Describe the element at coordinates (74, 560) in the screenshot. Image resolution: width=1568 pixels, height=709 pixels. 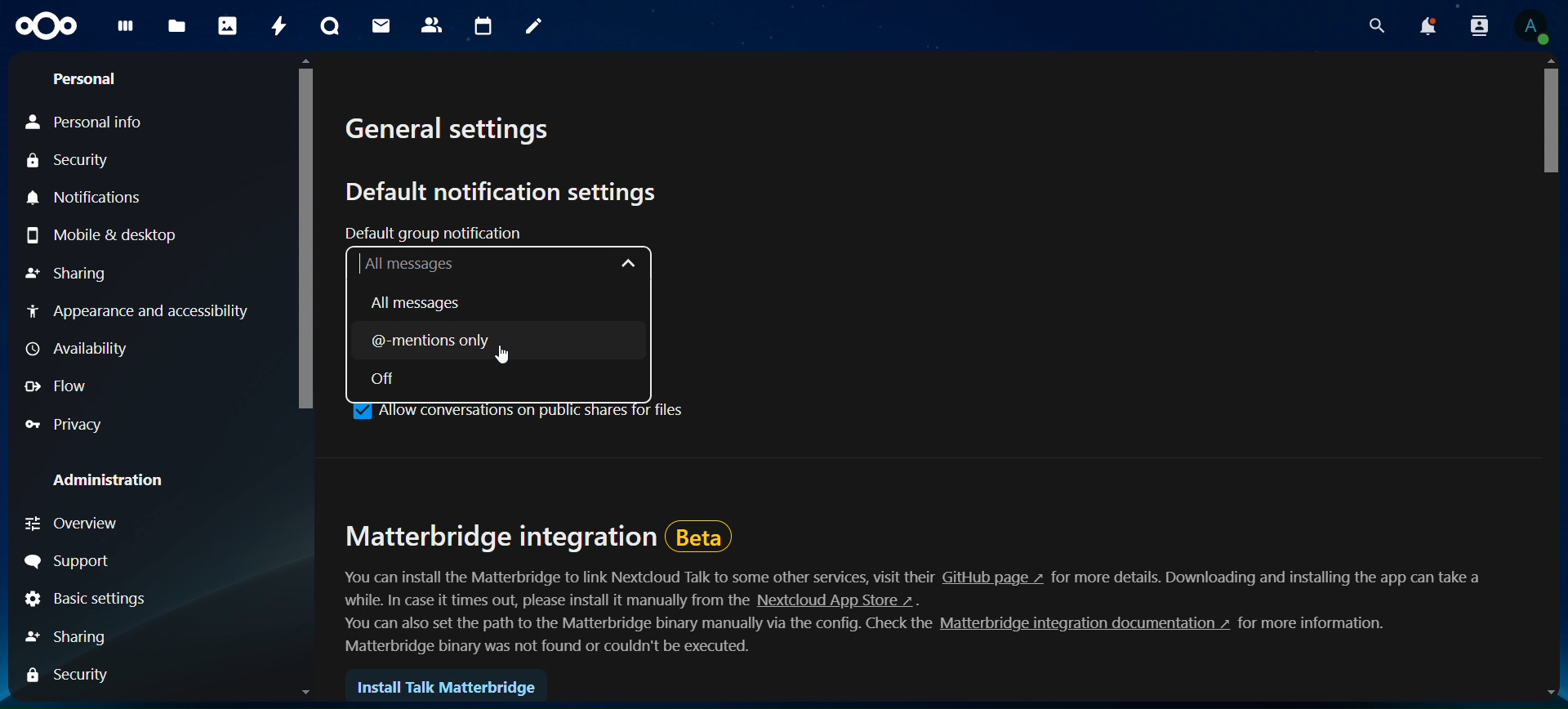
I see `support` at that location.